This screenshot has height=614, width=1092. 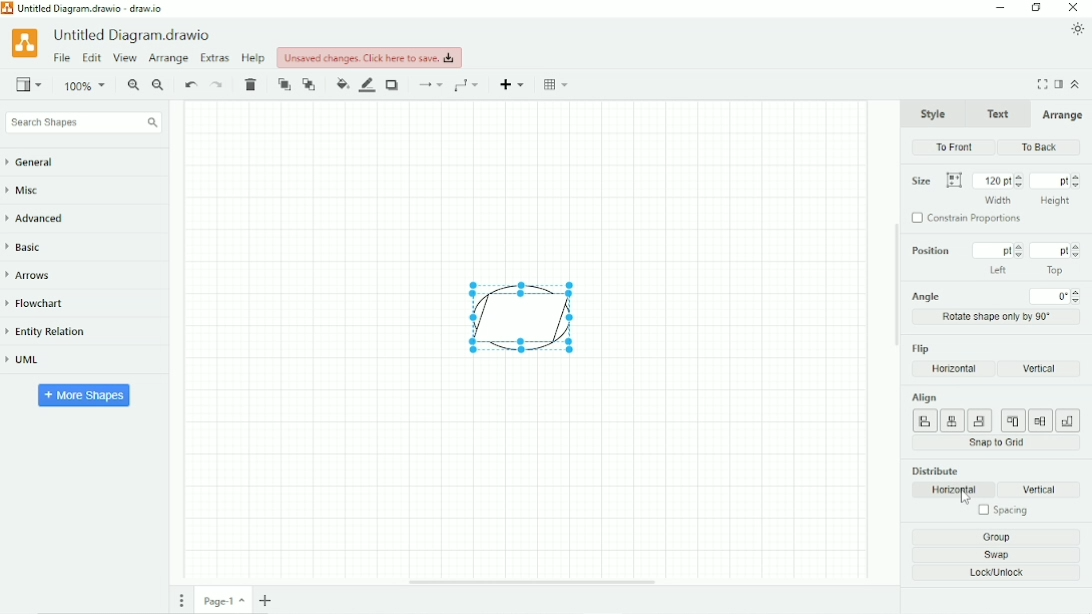 I want to click on Table, so click(x=558, y=84).